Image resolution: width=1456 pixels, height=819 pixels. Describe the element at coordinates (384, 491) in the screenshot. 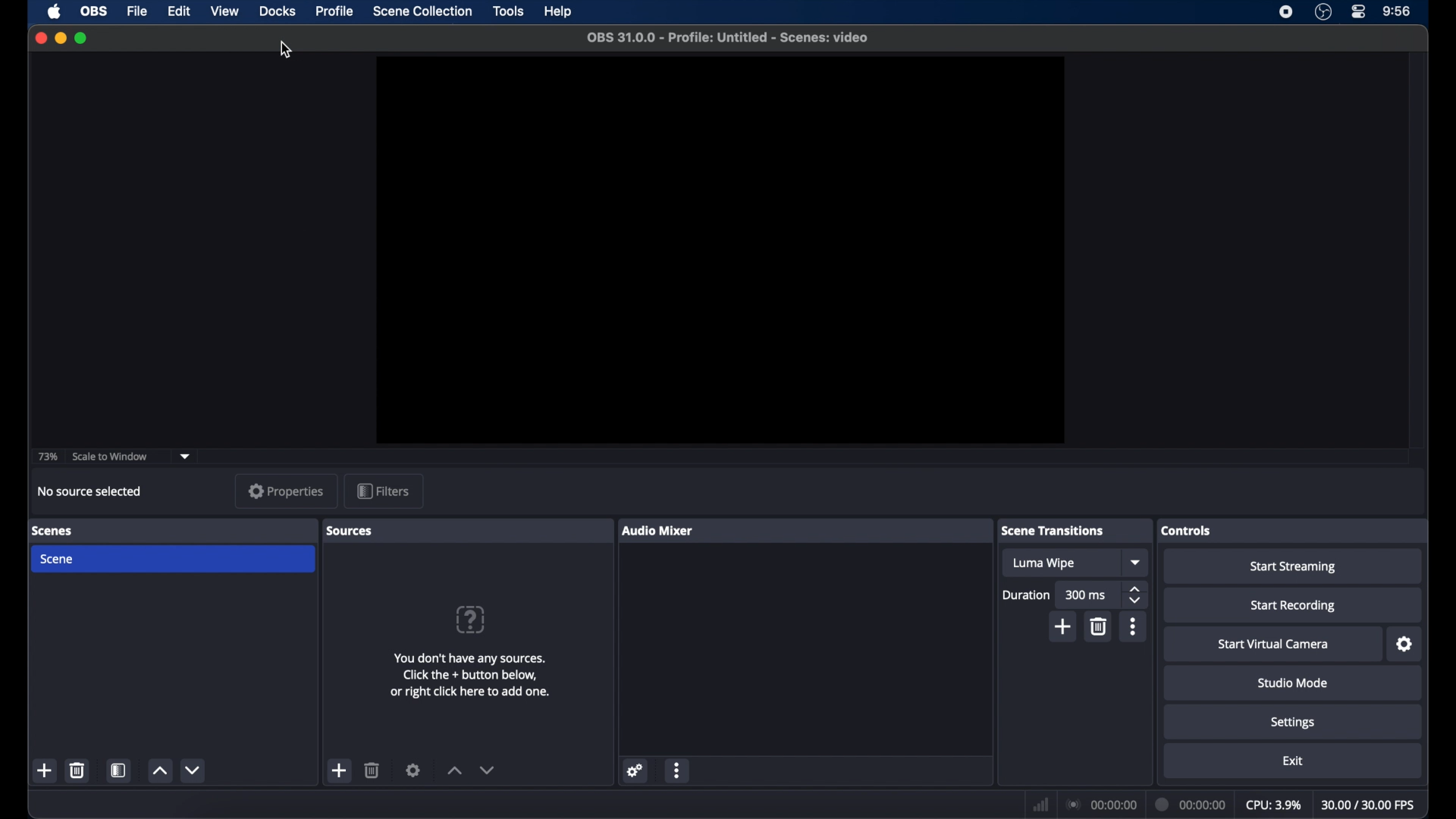

I see `filters` at that location.